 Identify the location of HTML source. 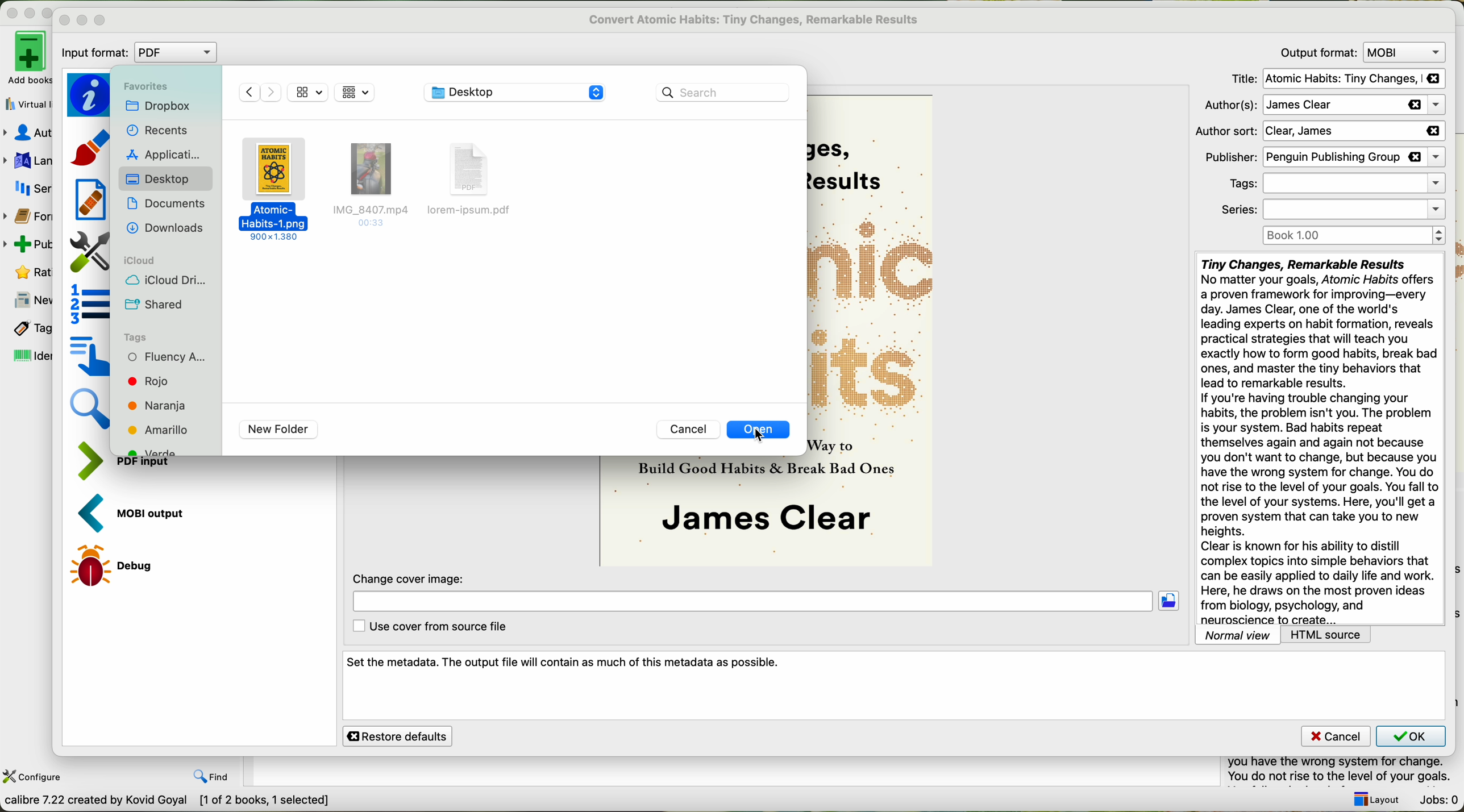
(1328, 635).